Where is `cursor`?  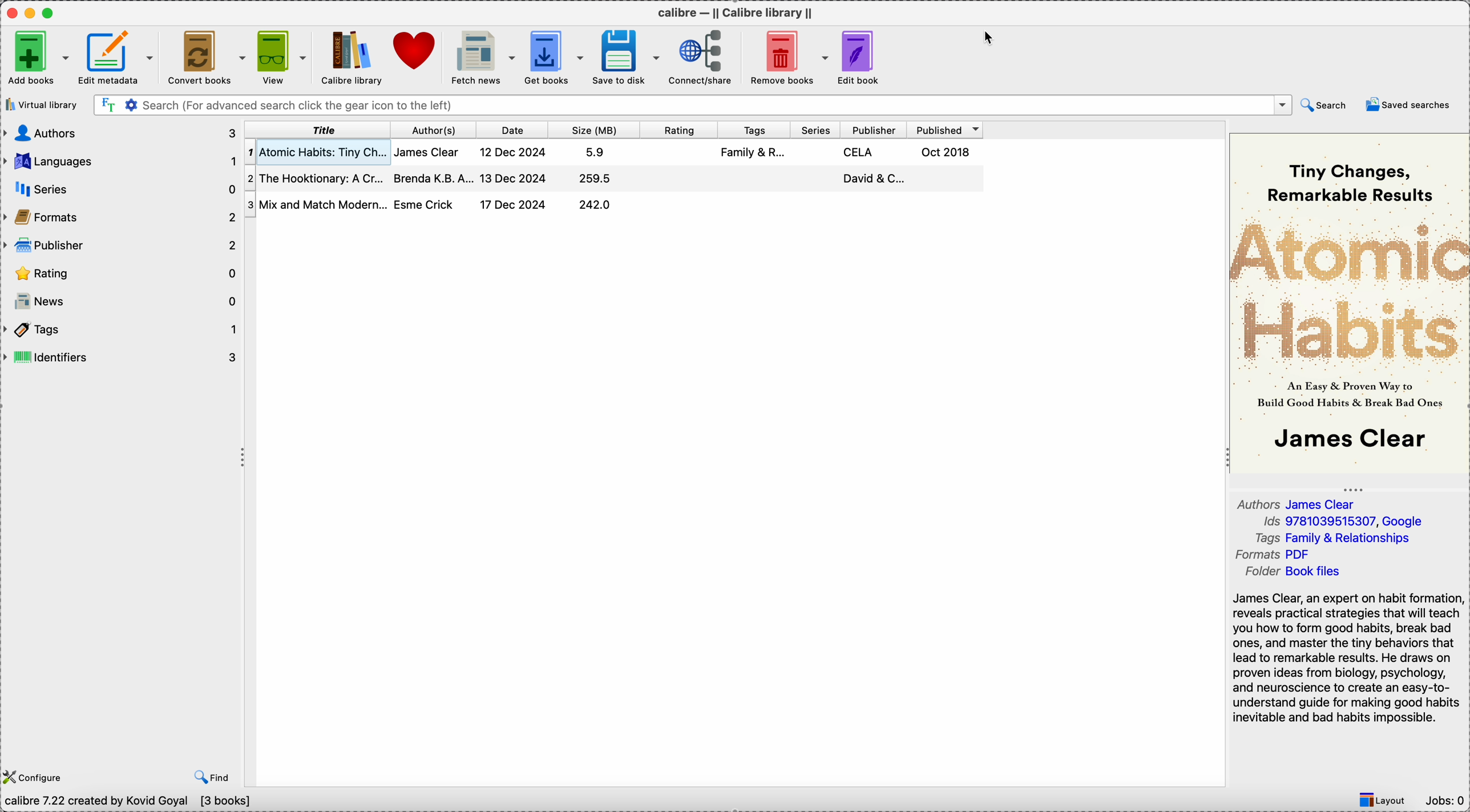 cursor is located at coordinates (991, 38).